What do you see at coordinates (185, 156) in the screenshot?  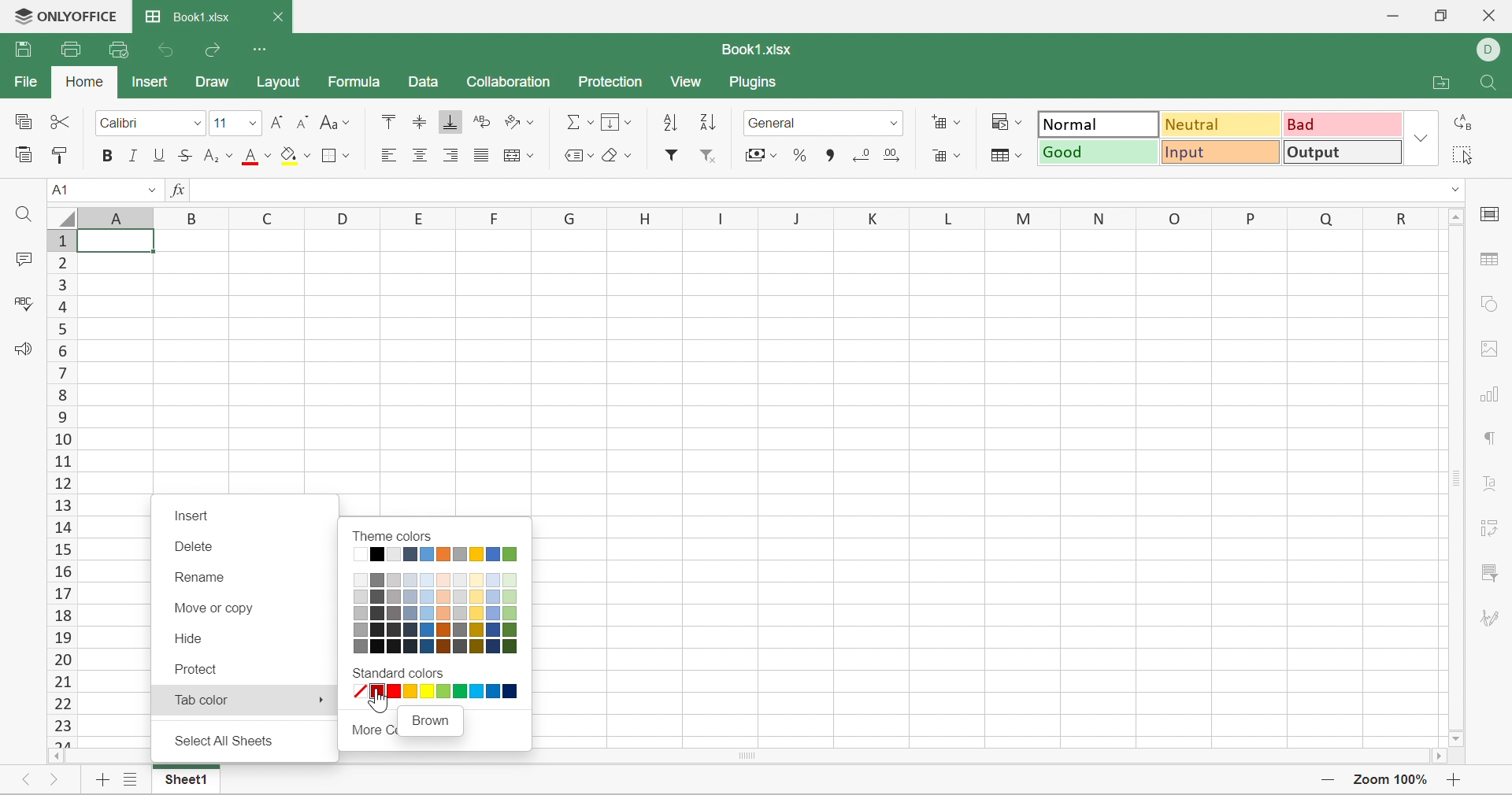 I see `Strikethrough` at bounding box center [185, 156].